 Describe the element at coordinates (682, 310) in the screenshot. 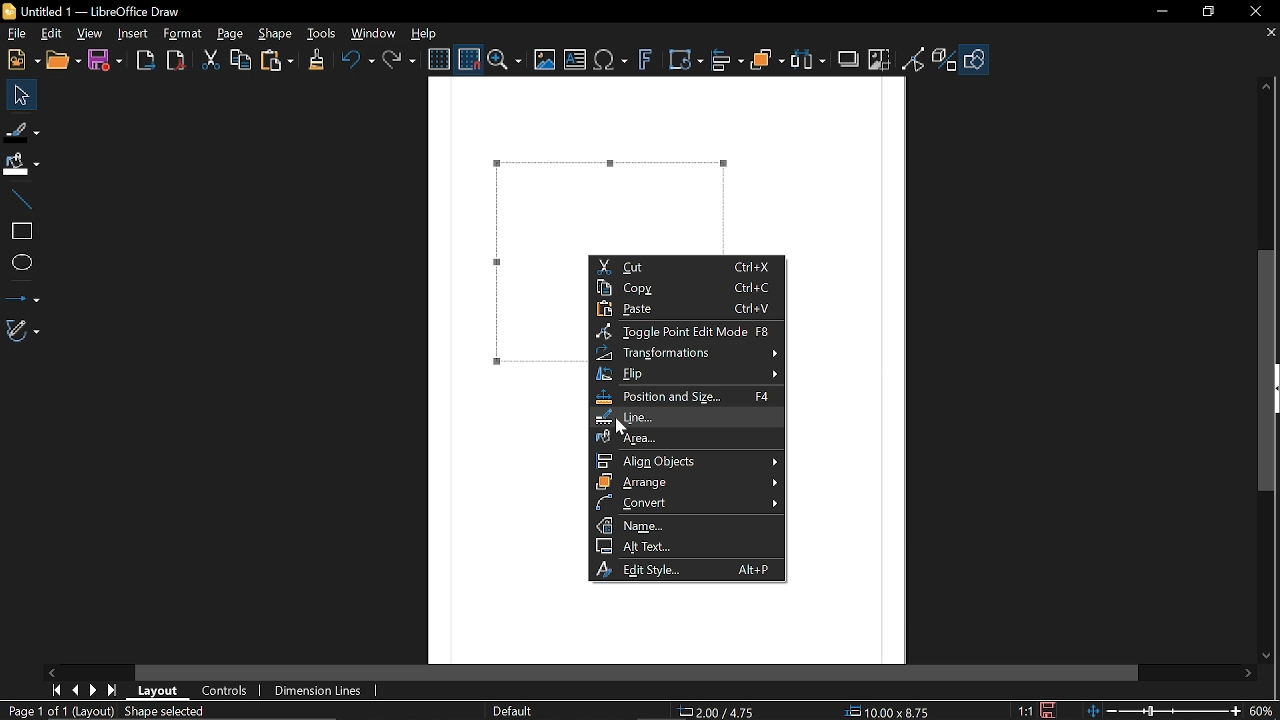

I see `Paste` at that location.